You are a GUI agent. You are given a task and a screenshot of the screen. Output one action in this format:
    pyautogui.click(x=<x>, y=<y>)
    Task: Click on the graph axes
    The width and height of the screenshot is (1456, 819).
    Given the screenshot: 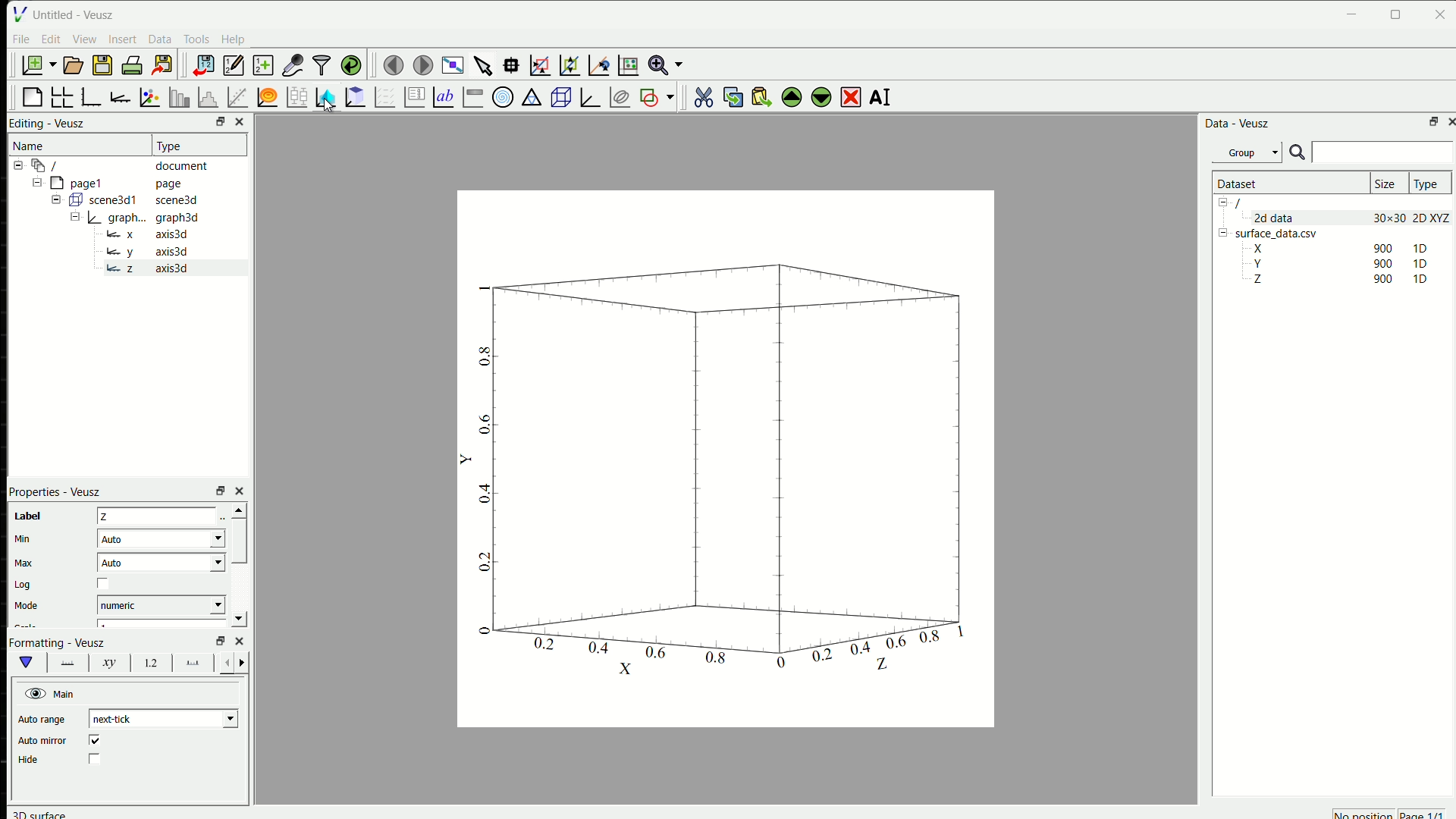 What is the action you would take?
    pyautogui.click(x=193, y=663)
    